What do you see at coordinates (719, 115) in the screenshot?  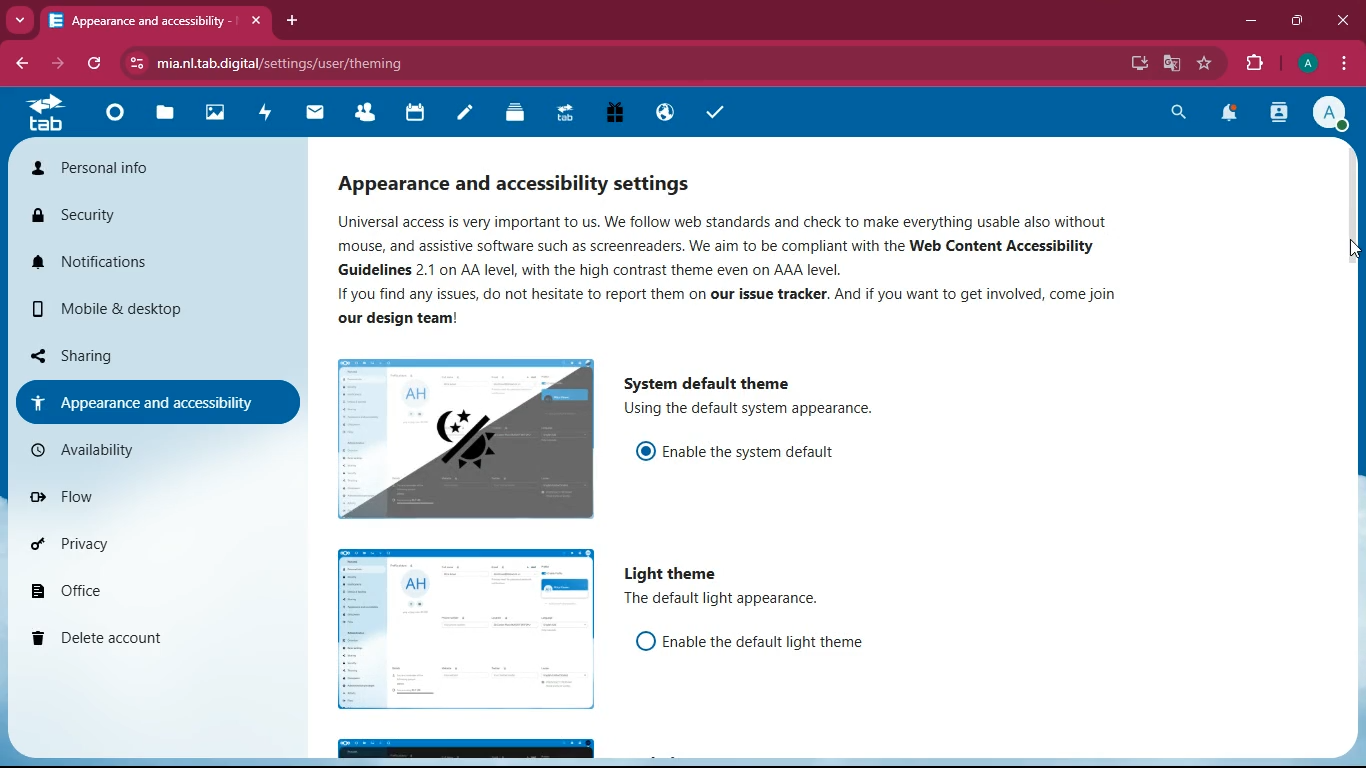 I see `task` at bounding box center [719, 115].